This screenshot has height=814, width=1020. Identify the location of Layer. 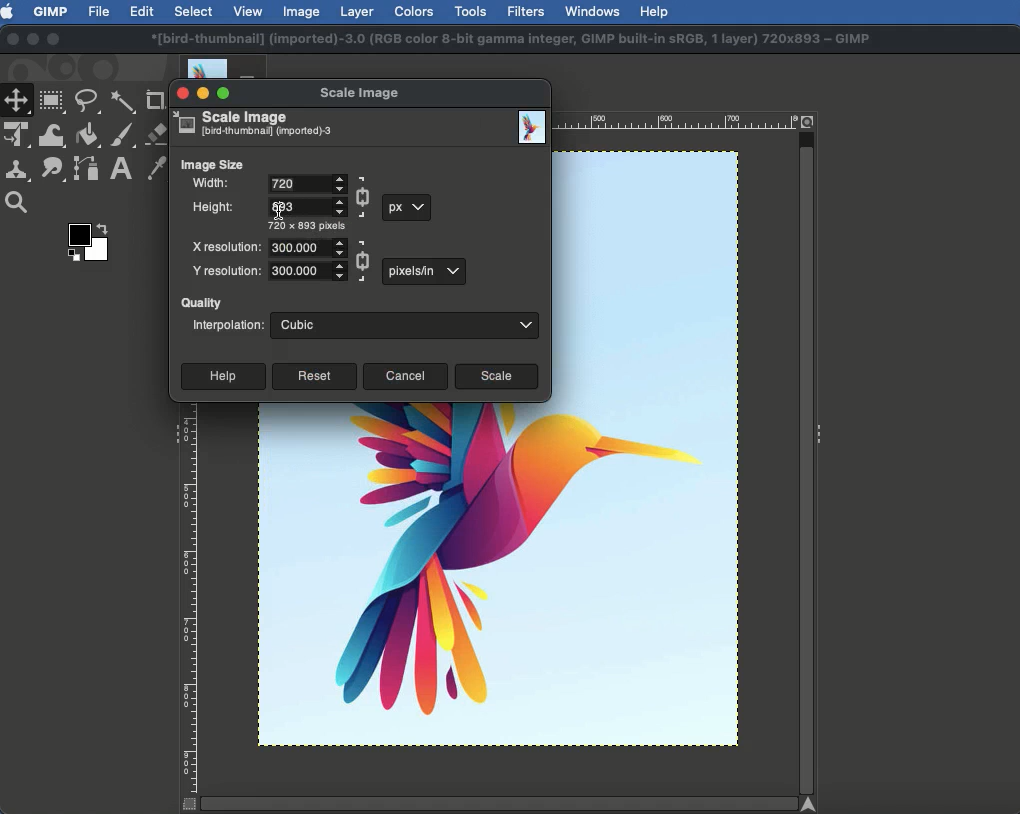
(357, 12).